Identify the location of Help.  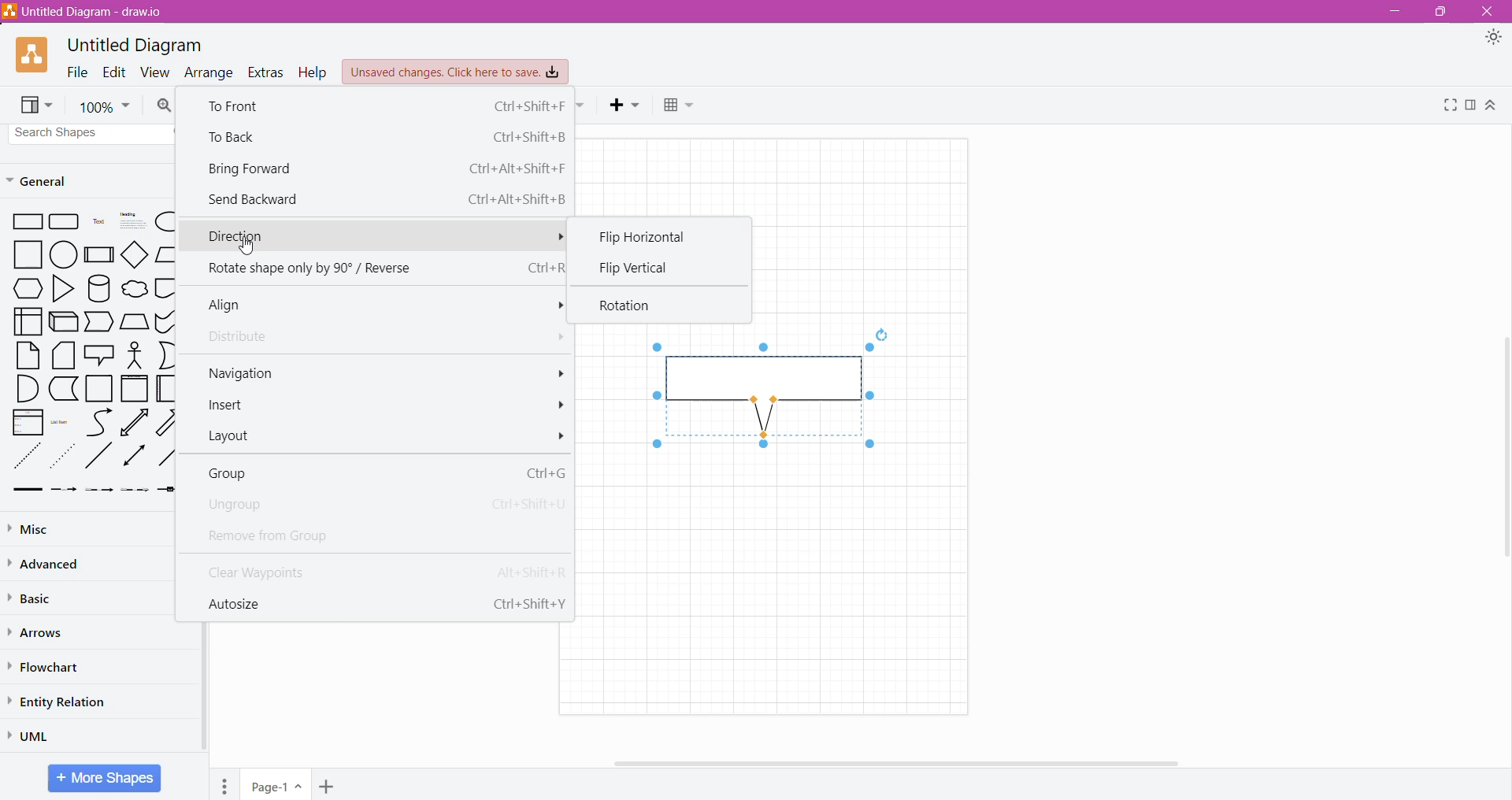
(313, 72).